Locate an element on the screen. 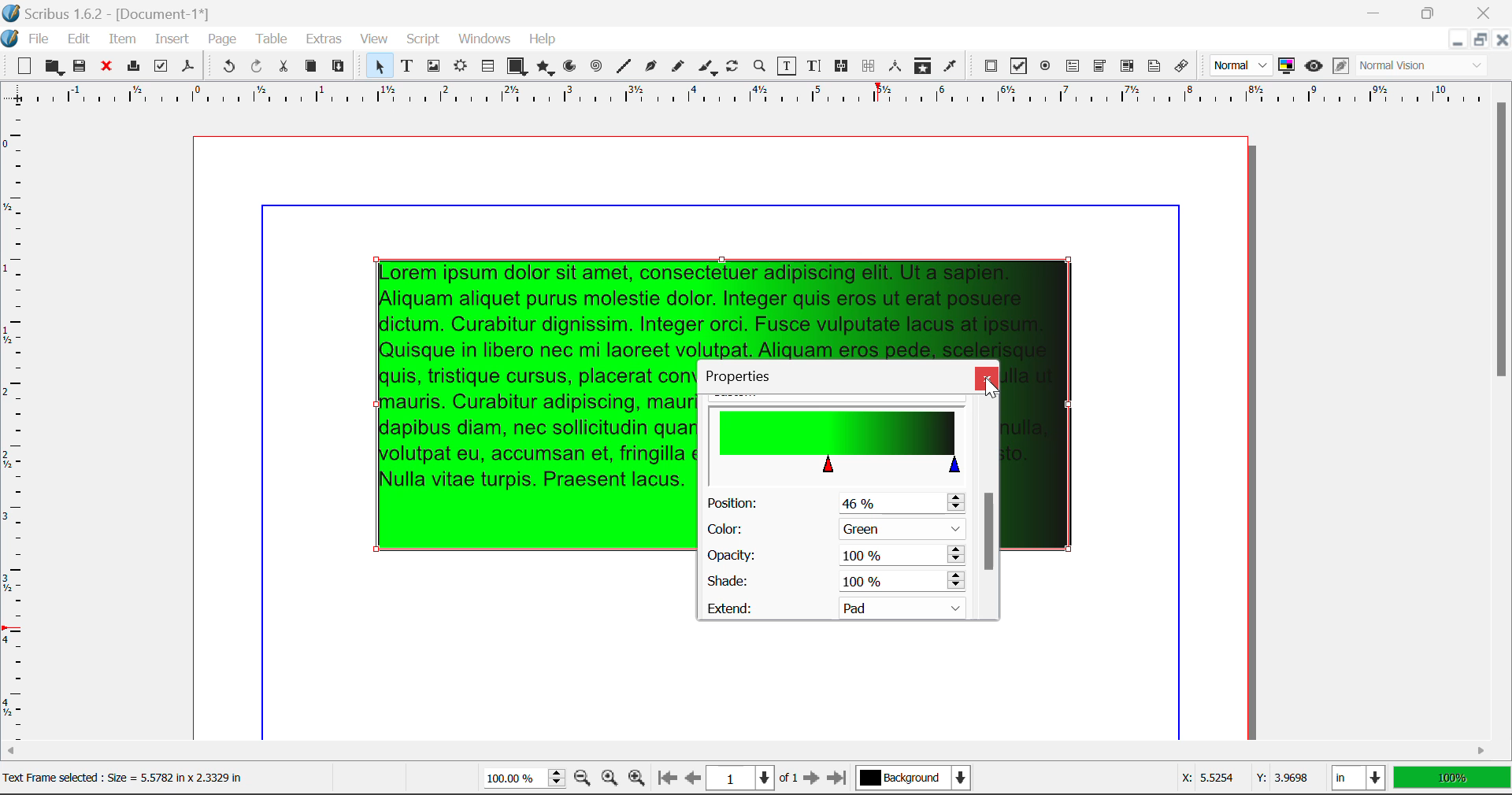  PDF List Box is located at coordinates (1128, 66).